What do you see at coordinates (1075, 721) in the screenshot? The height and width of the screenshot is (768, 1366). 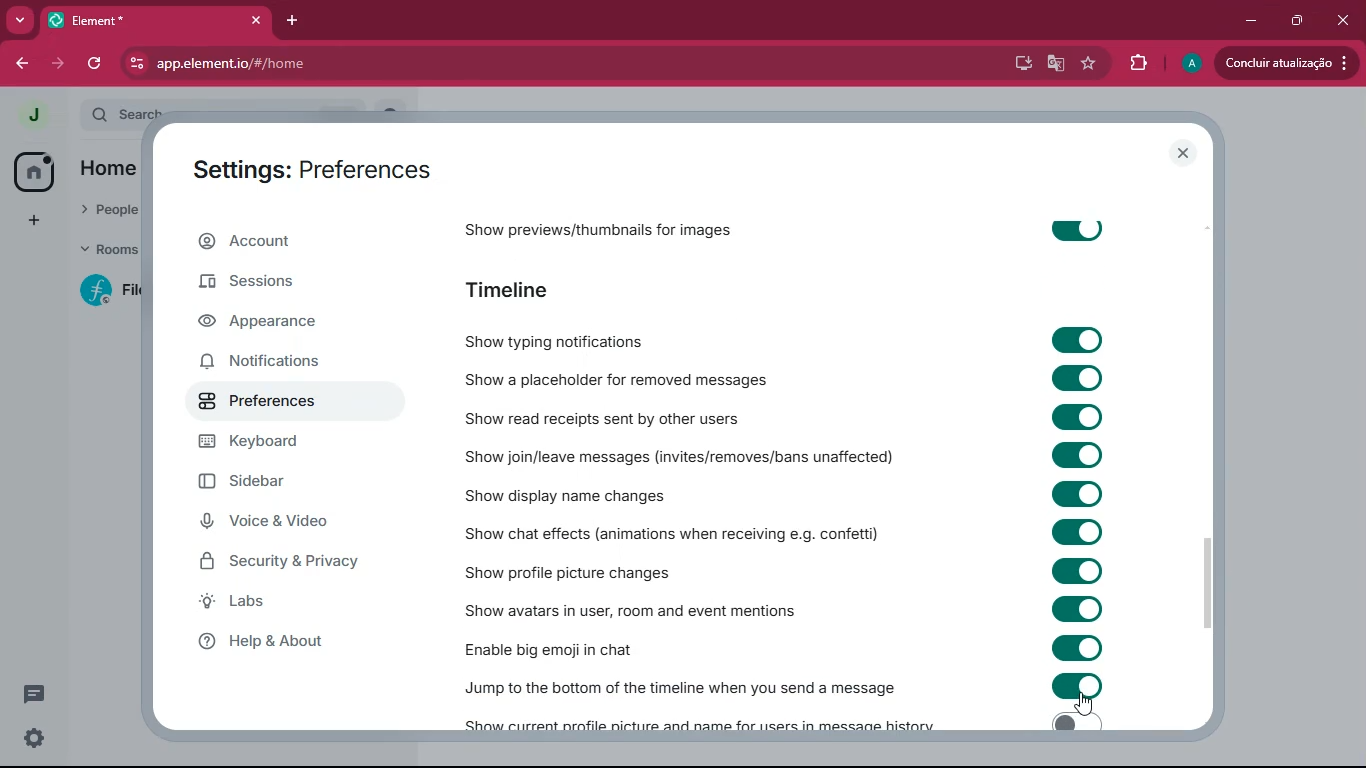 I see `toggle on ` at bounding box center [1075, 721].